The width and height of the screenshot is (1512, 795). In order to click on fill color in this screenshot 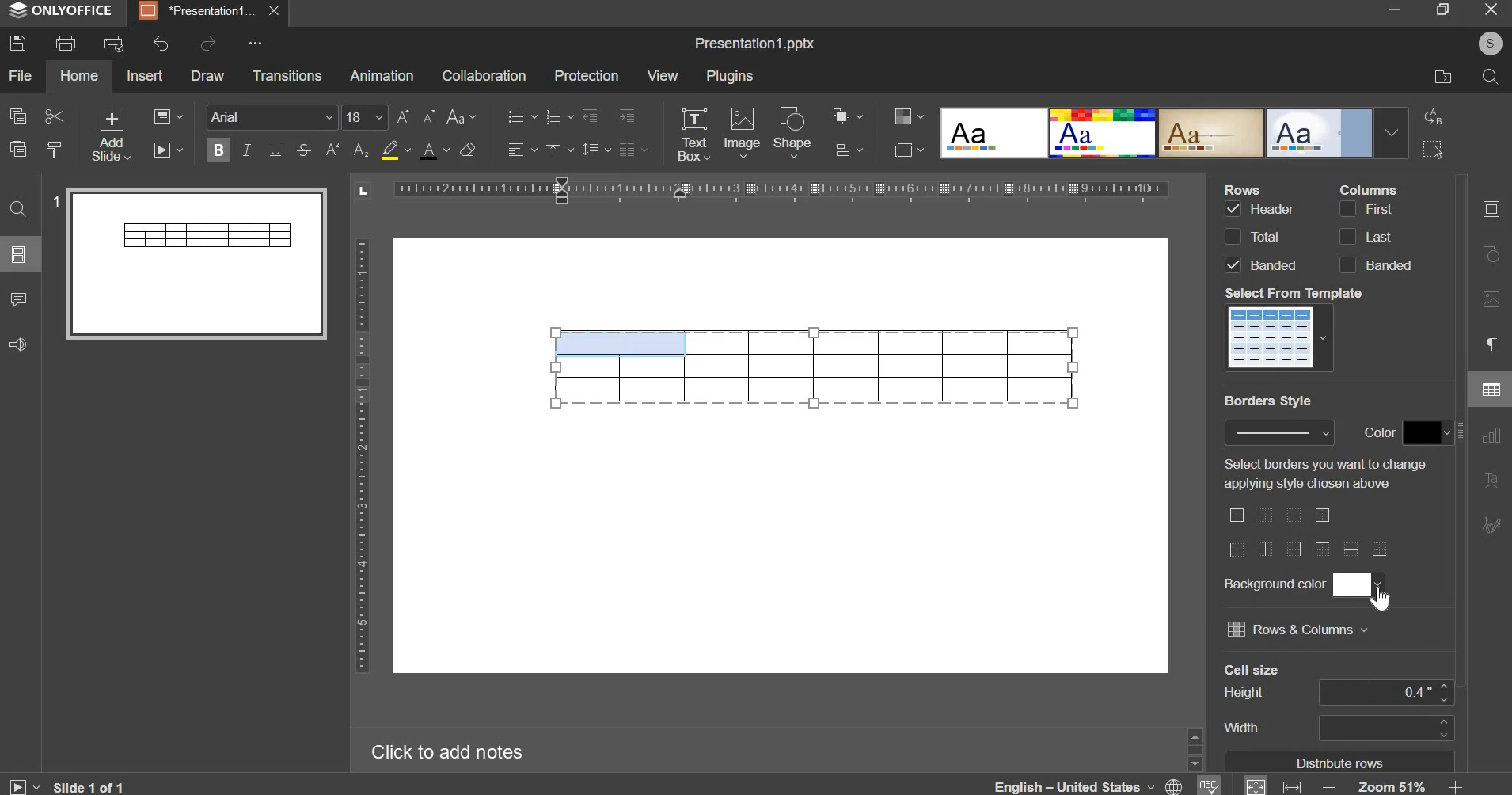, I will do `click(394, 150)`.